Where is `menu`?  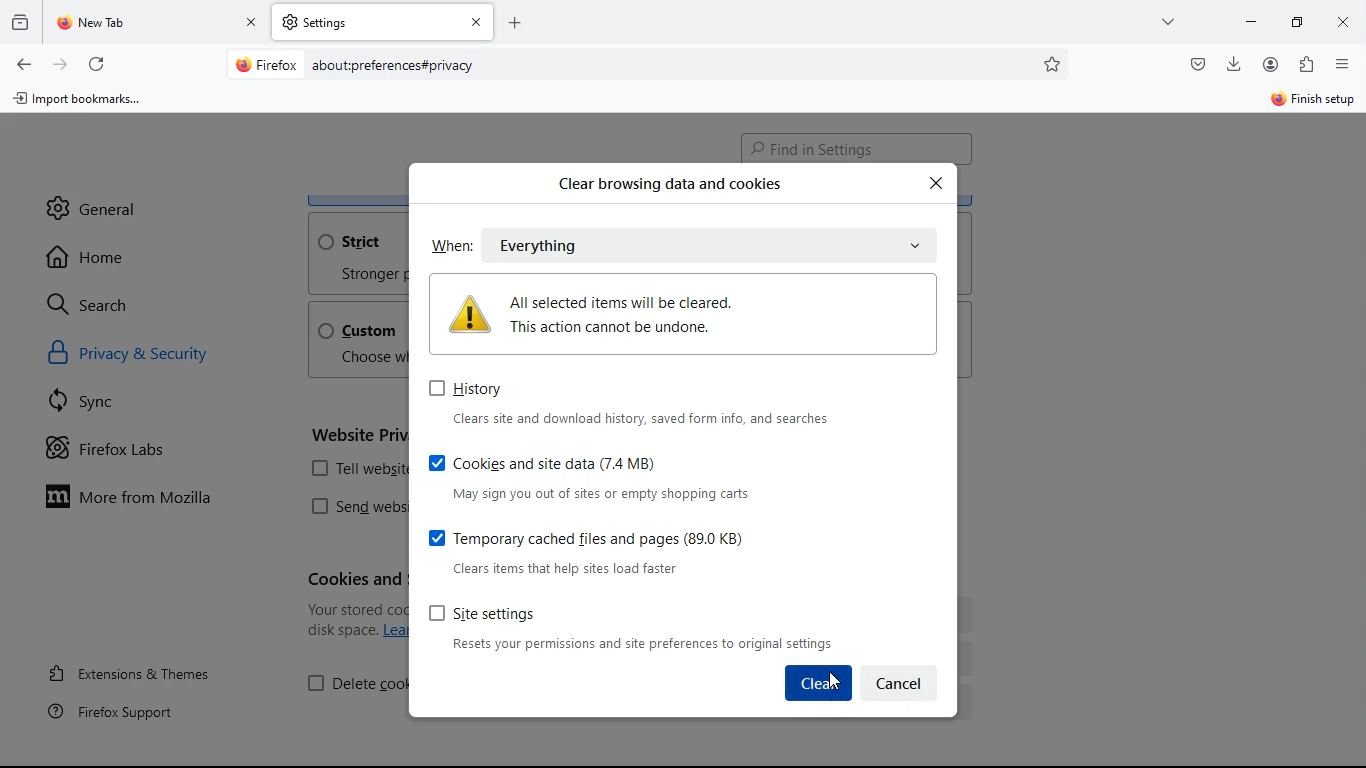 menu is located at coordinates (1343, 64).